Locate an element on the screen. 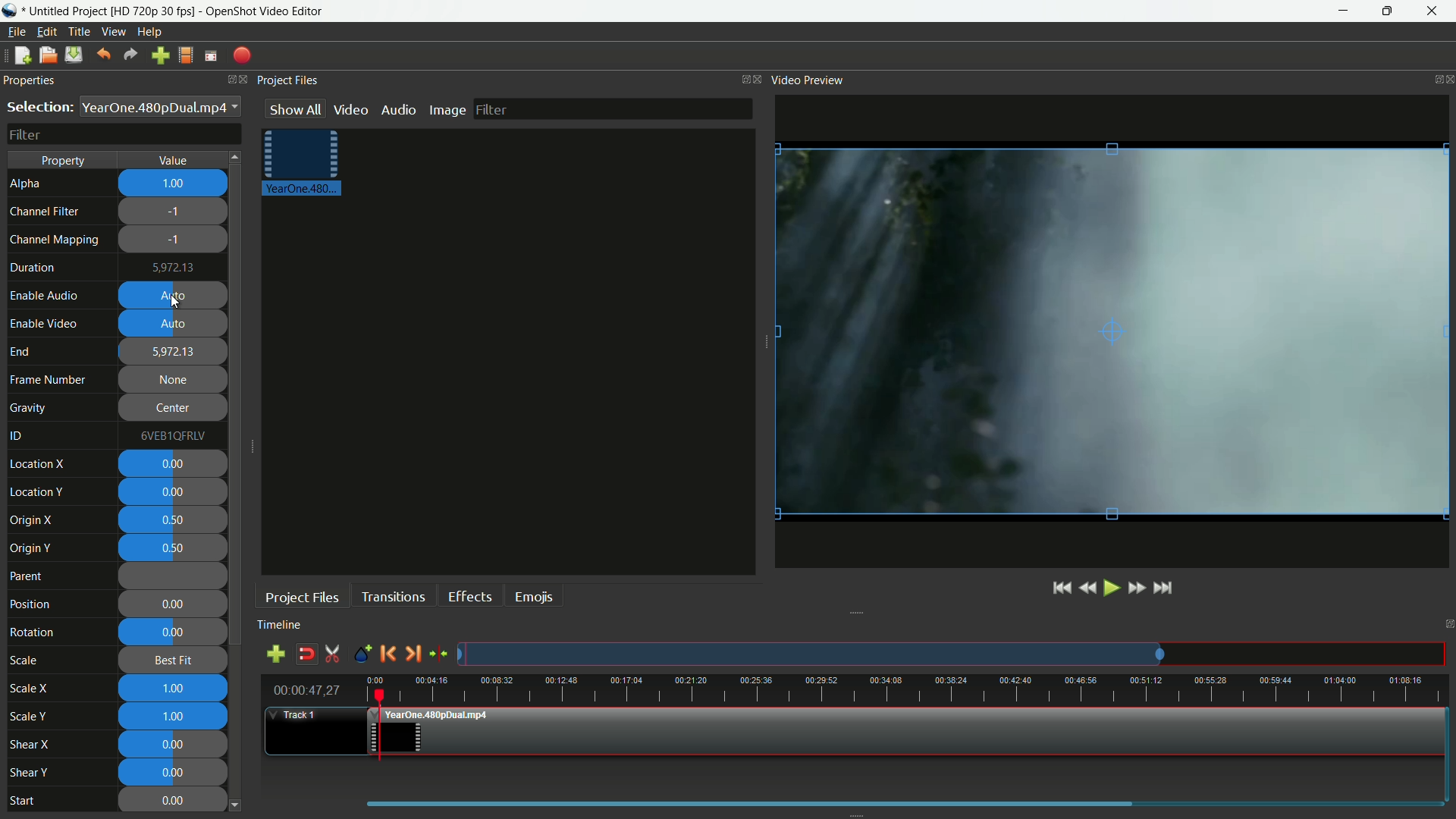 The height and width of the screenshot is (819, 1456). disable snap is located at coordinates (306, 654).